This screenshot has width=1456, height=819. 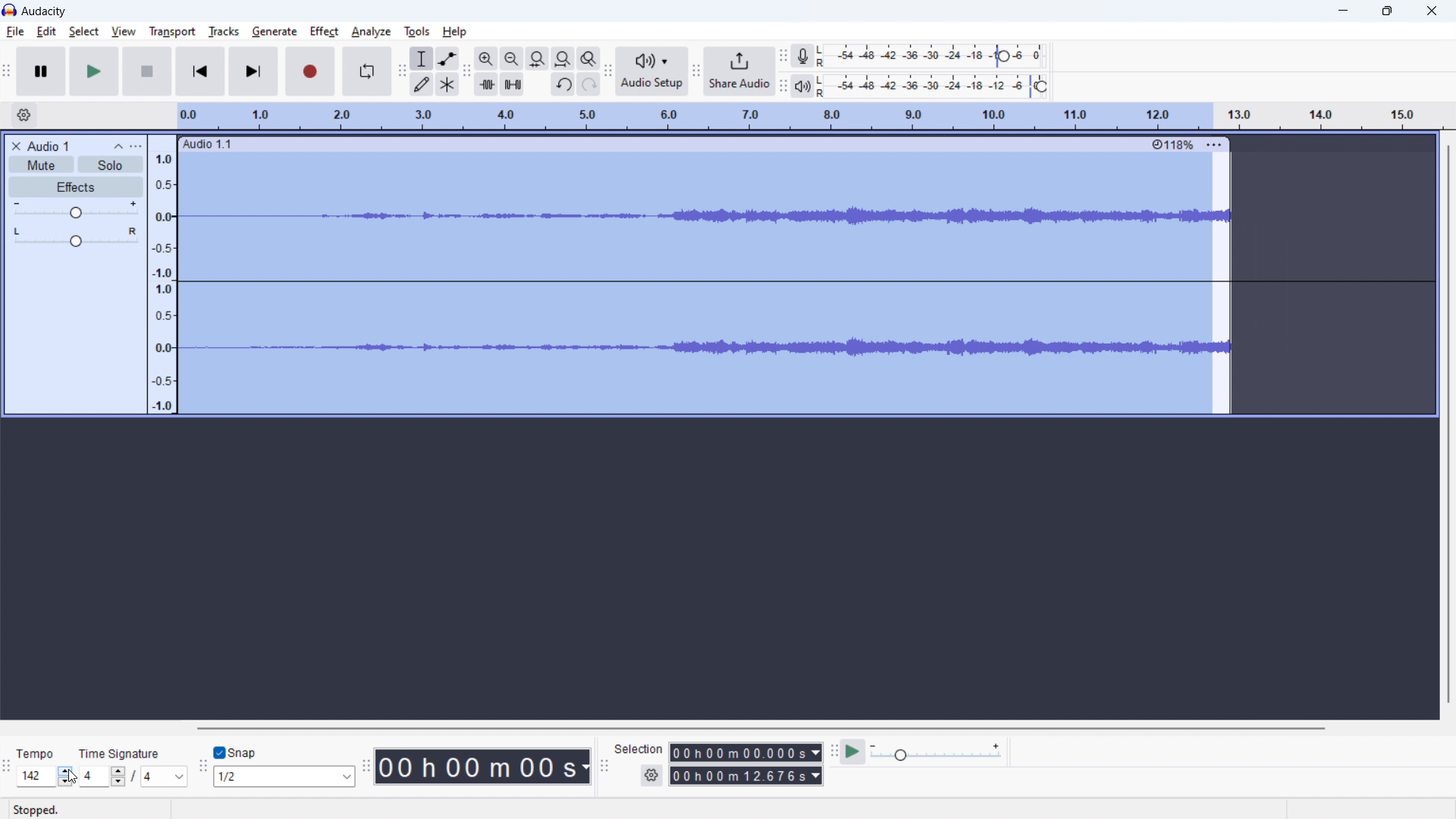 What do you see at coordinates (147, 72) in the screenshot?
I see `Pause` at bounding box center [147, 72].